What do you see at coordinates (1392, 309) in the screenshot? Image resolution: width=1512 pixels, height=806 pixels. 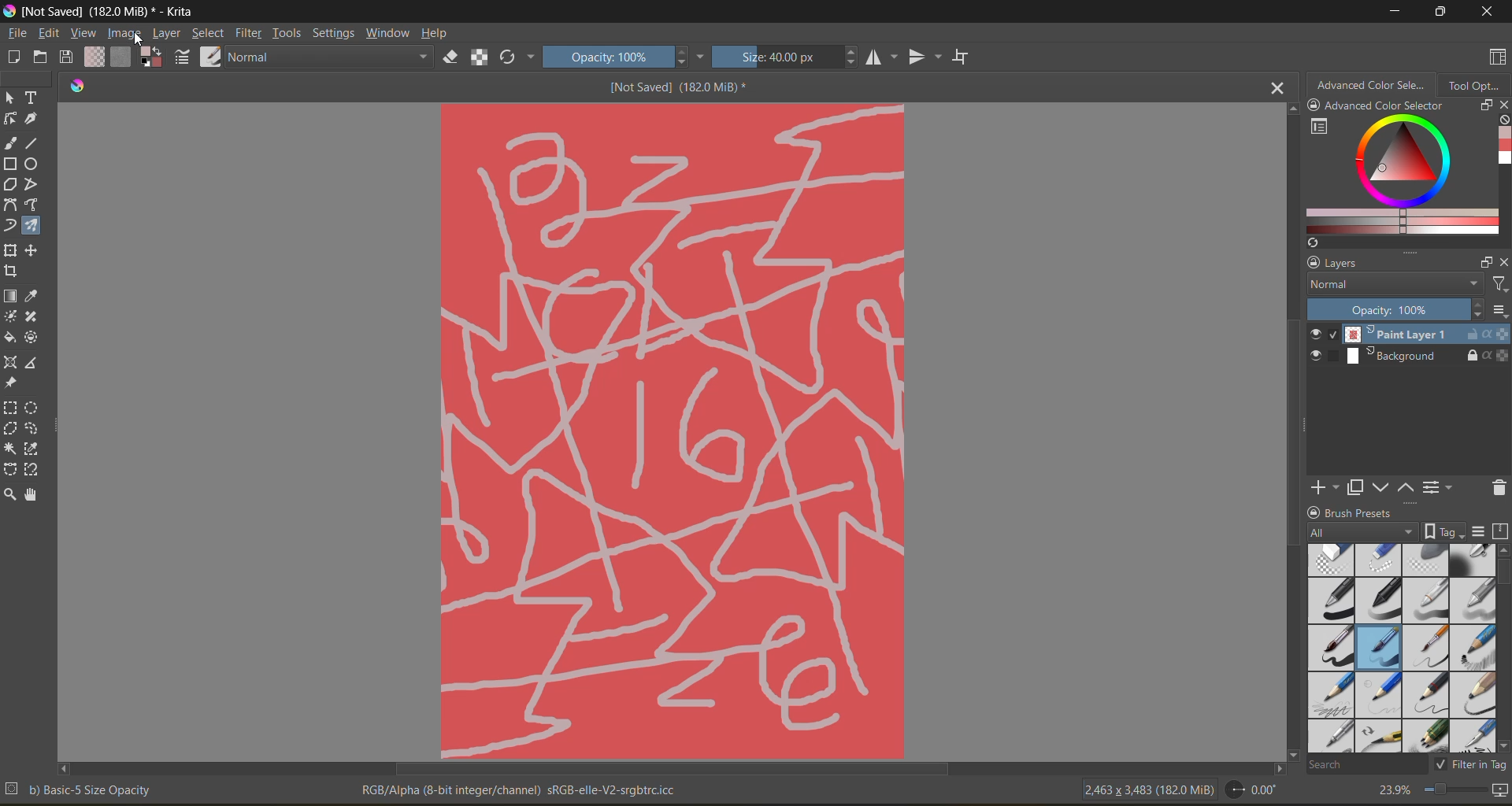 I see `opacity` at bounding box center [1392, 309].